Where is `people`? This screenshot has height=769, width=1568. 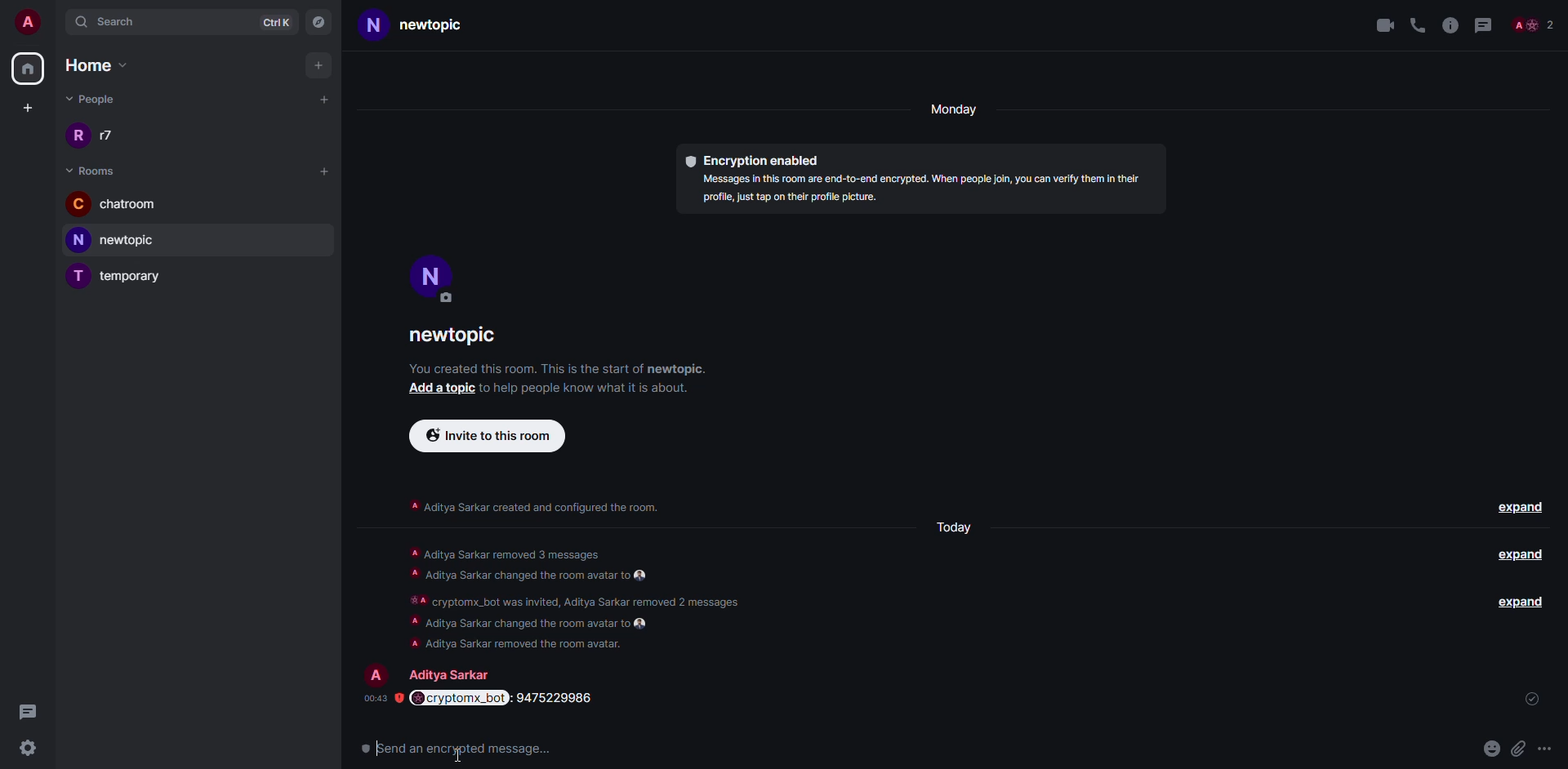 people is located at coordinates (94, 99).